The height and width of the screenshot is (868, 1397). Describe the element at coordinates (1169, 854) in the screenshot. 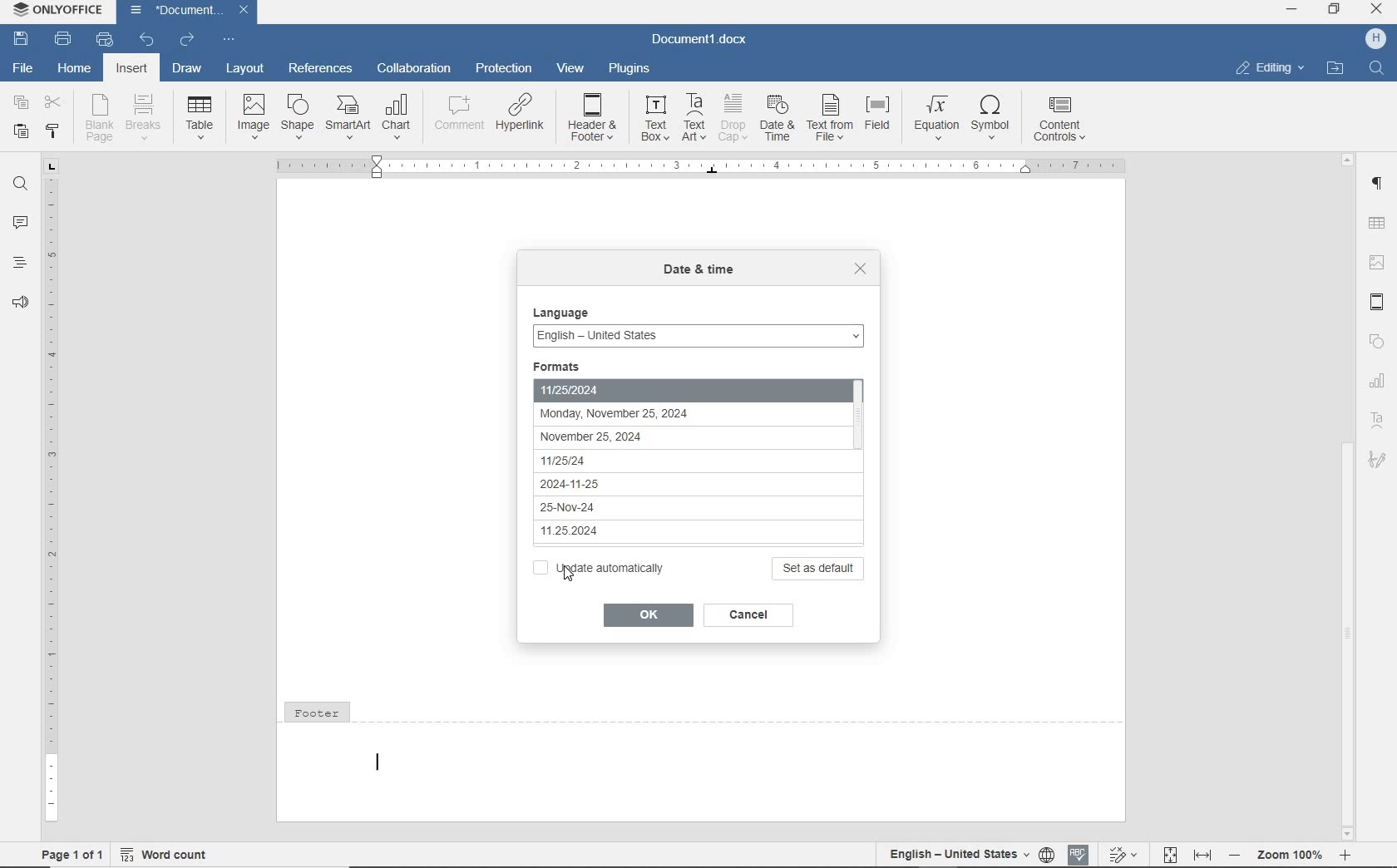

I see `fit to page` at that location.